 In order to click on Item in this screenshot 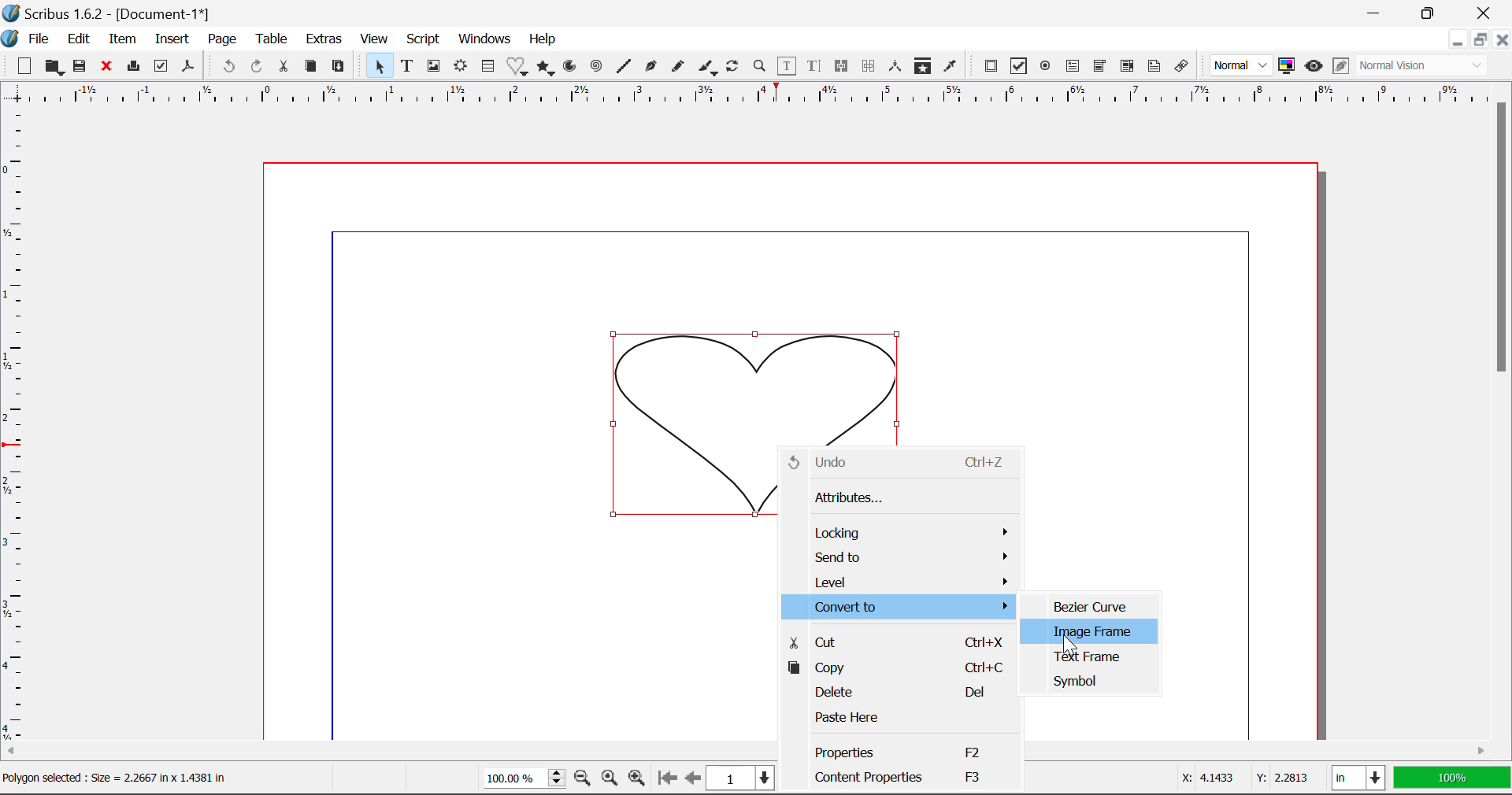, I will do `click(123, 40)`.